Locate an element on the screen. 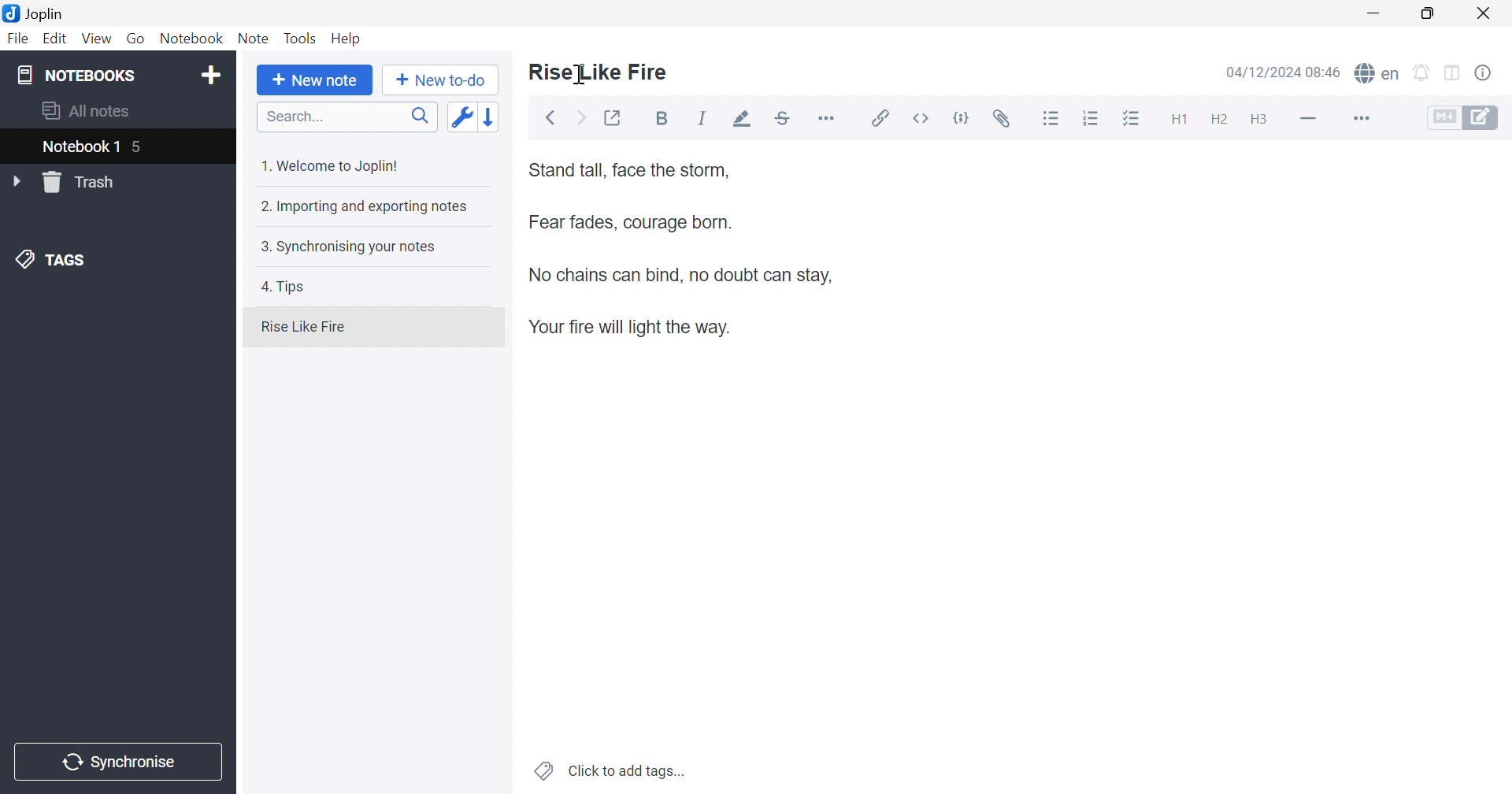 Image resolution: width=1512 pixels, height=794 pixels. Toggle editors layout is located at coordinates (1452, 74).